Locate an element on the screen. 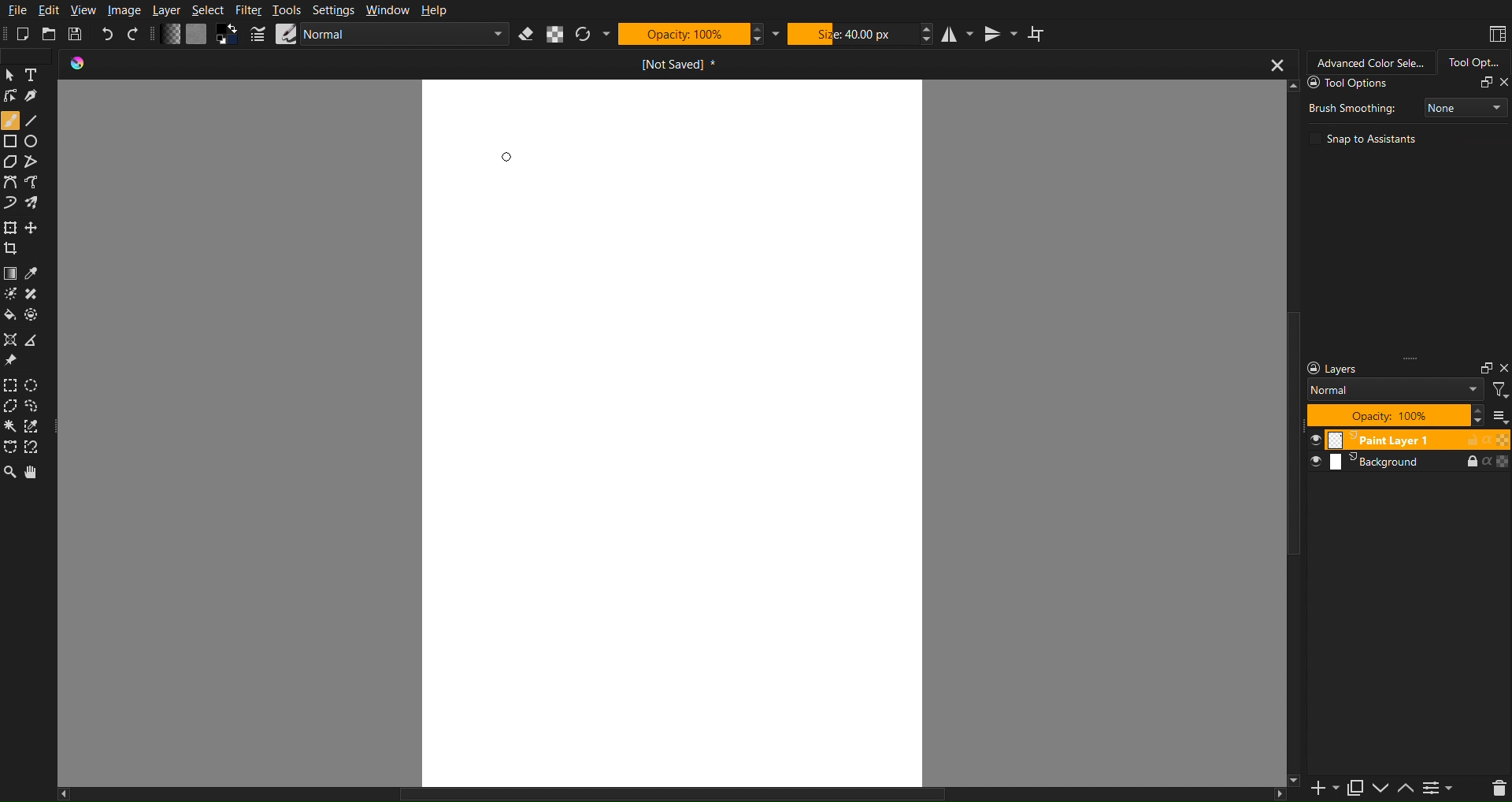 The height and width of the screenshot is (802, 1512). Blend Mode is located at coordinates (1396, 390).